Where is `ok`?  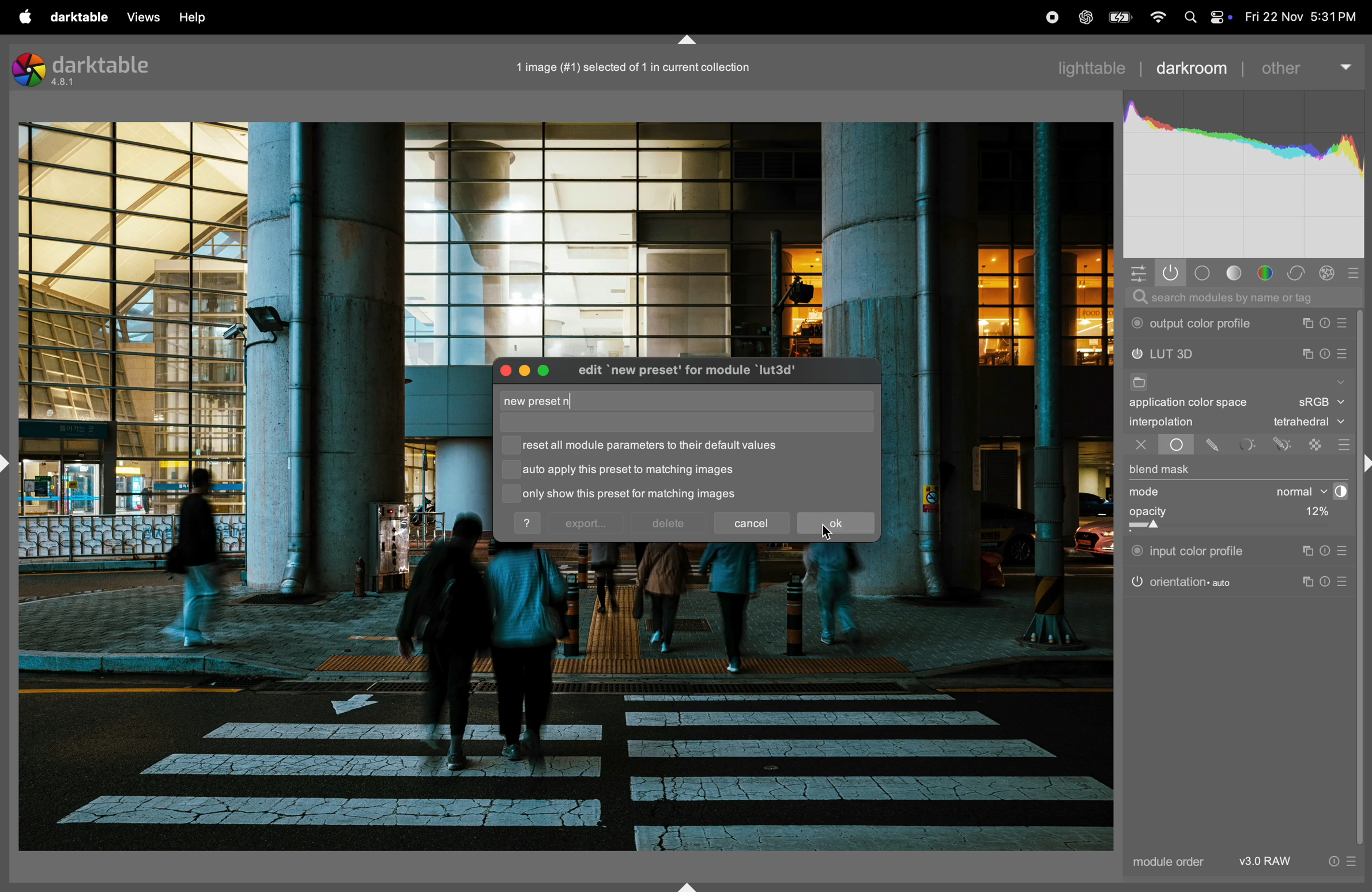
ok is located at coordinates (835, 524).